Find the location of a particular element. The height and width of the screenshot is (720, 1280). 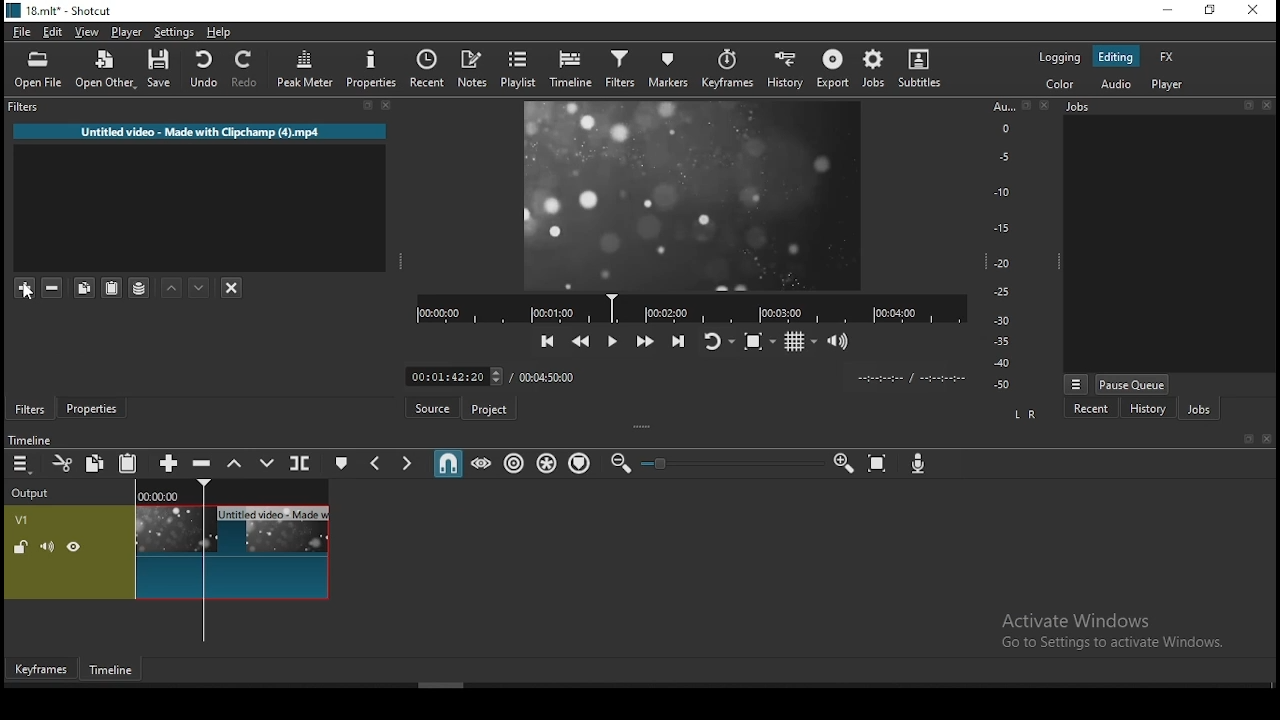

minimize is located at coordinates (1169, 12).